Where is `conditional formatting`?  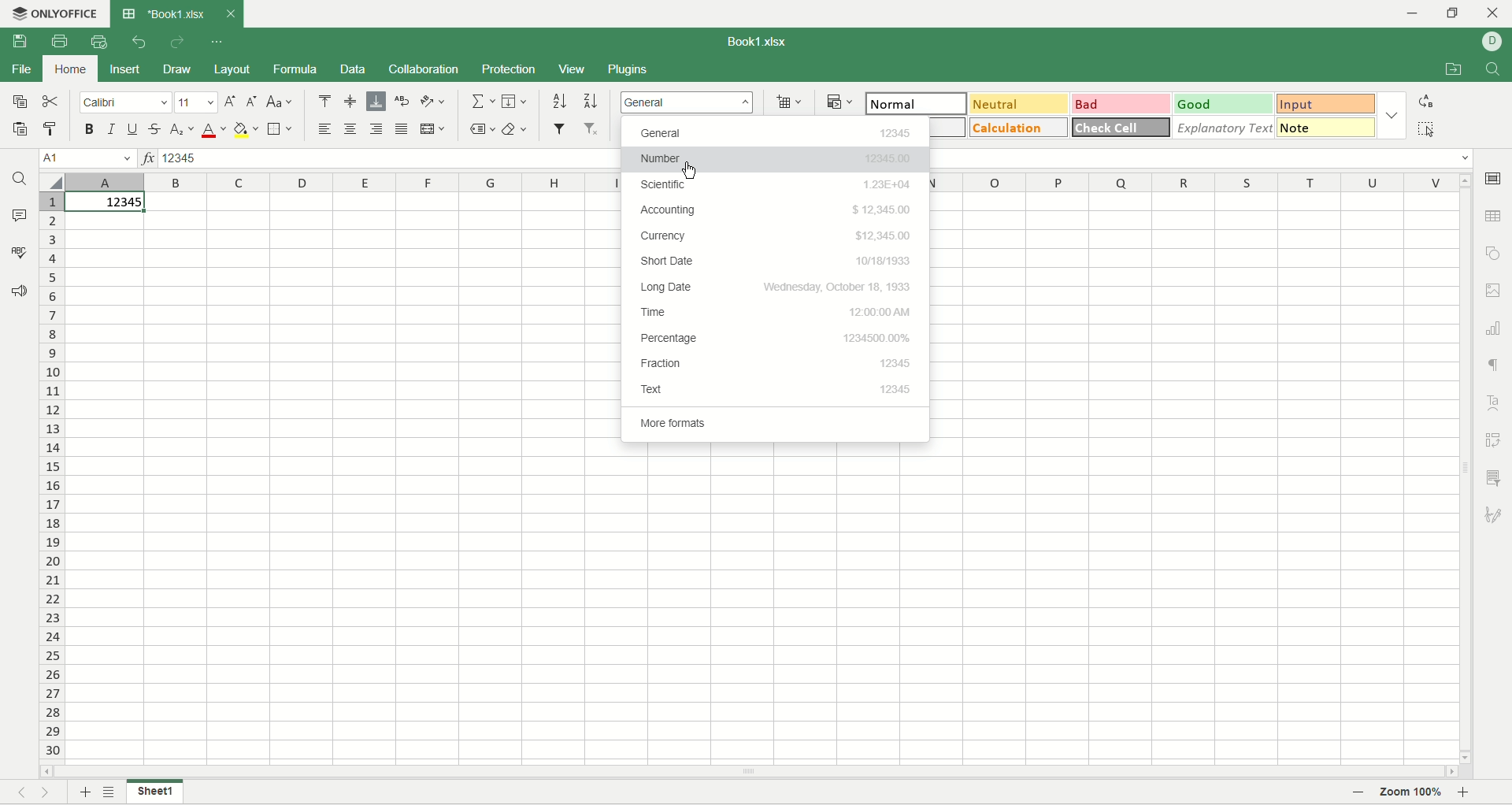
conditional formatting is located at coordinates (839, 100).